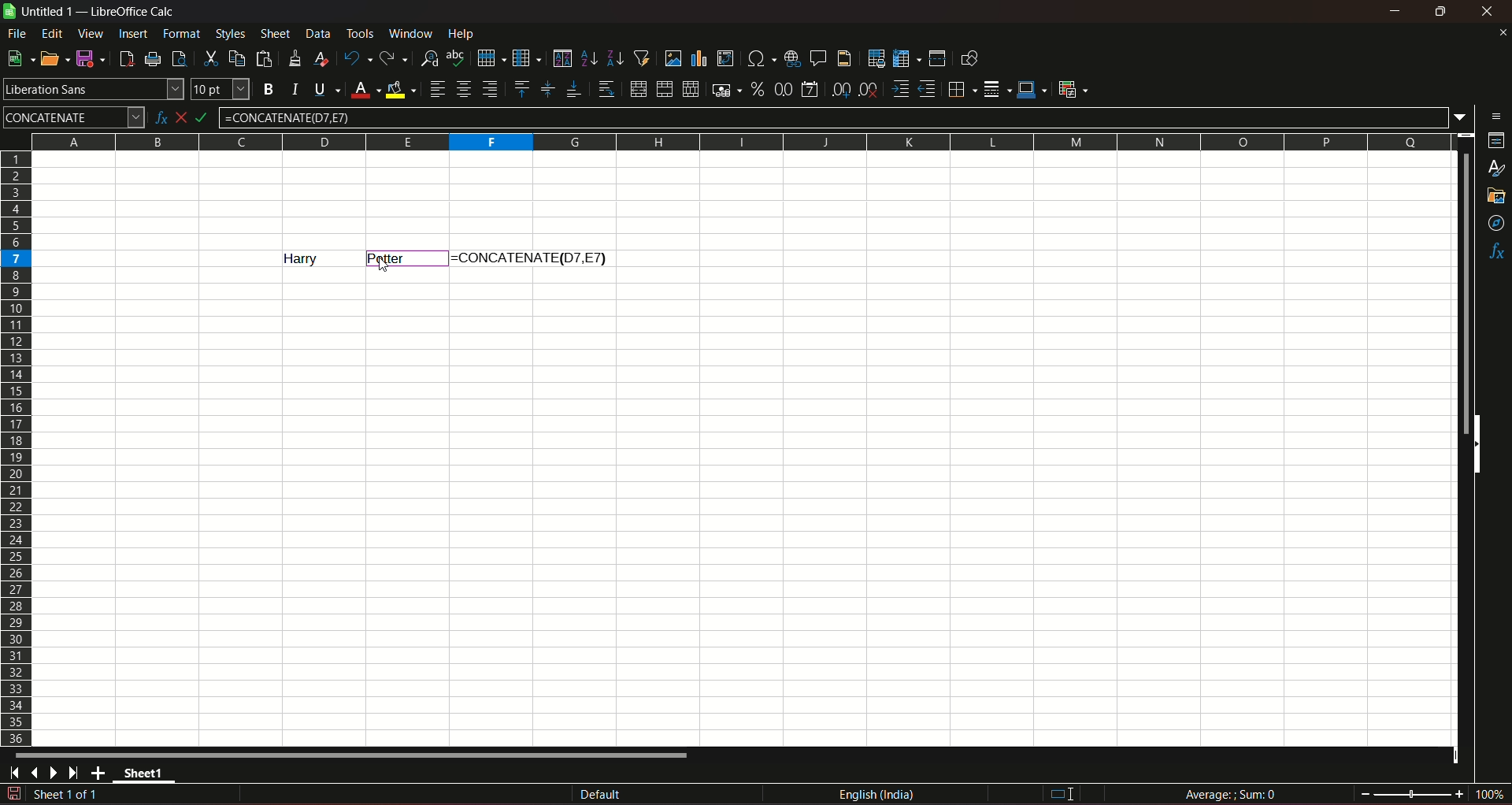 The image size is (1512, 805). Describe the element at coordinates (1477, 444) in the screenshot. I see `side scrollbars` at that location.